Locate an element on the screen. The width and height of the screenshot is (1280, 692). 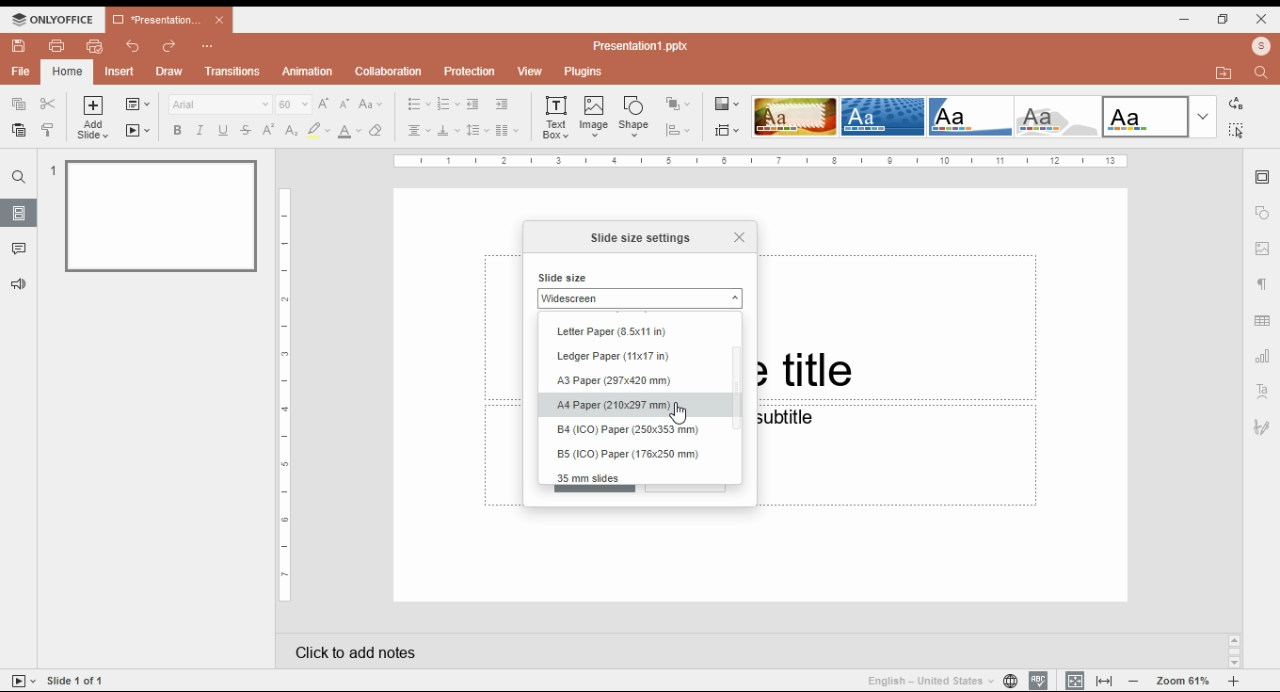
replace is located at coordinates (1234, 104).